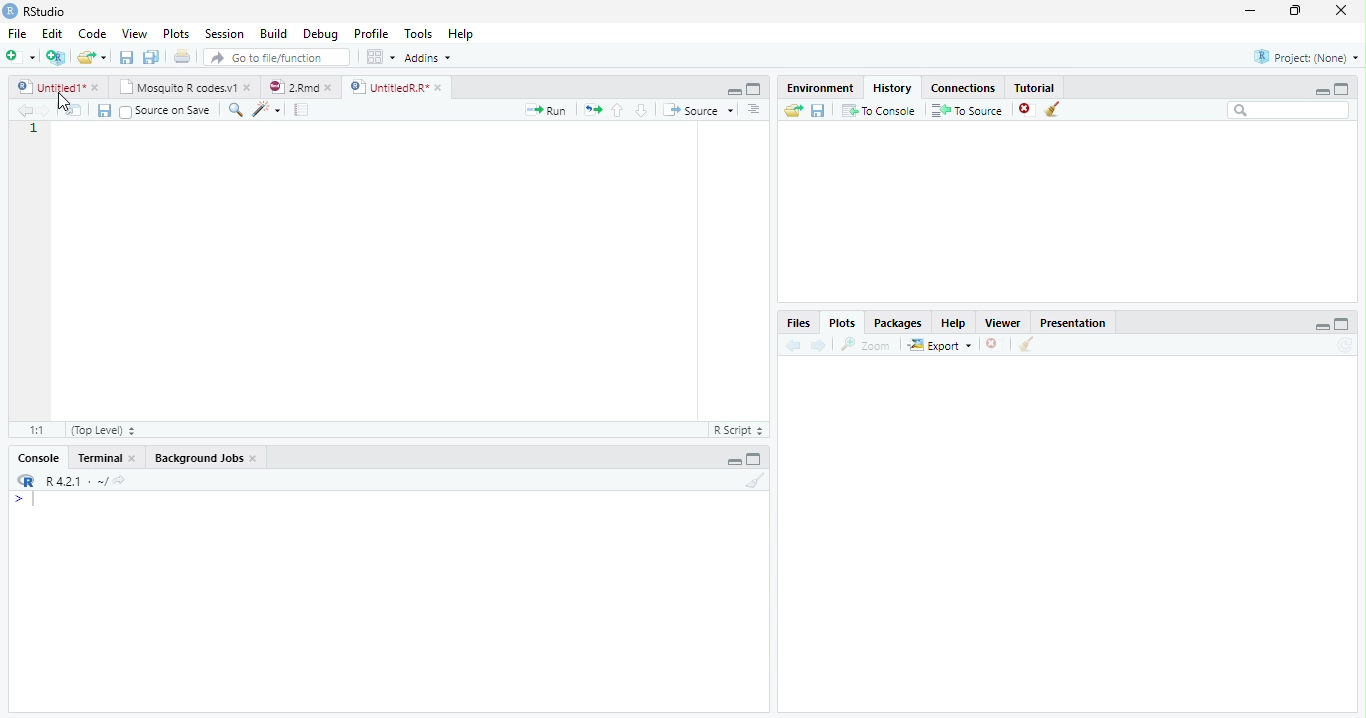 The width and height of the screenshot is (1366, 718). Describe the element at coordinates (754, 89) in the screenshot. I see `Maximize` at that location.